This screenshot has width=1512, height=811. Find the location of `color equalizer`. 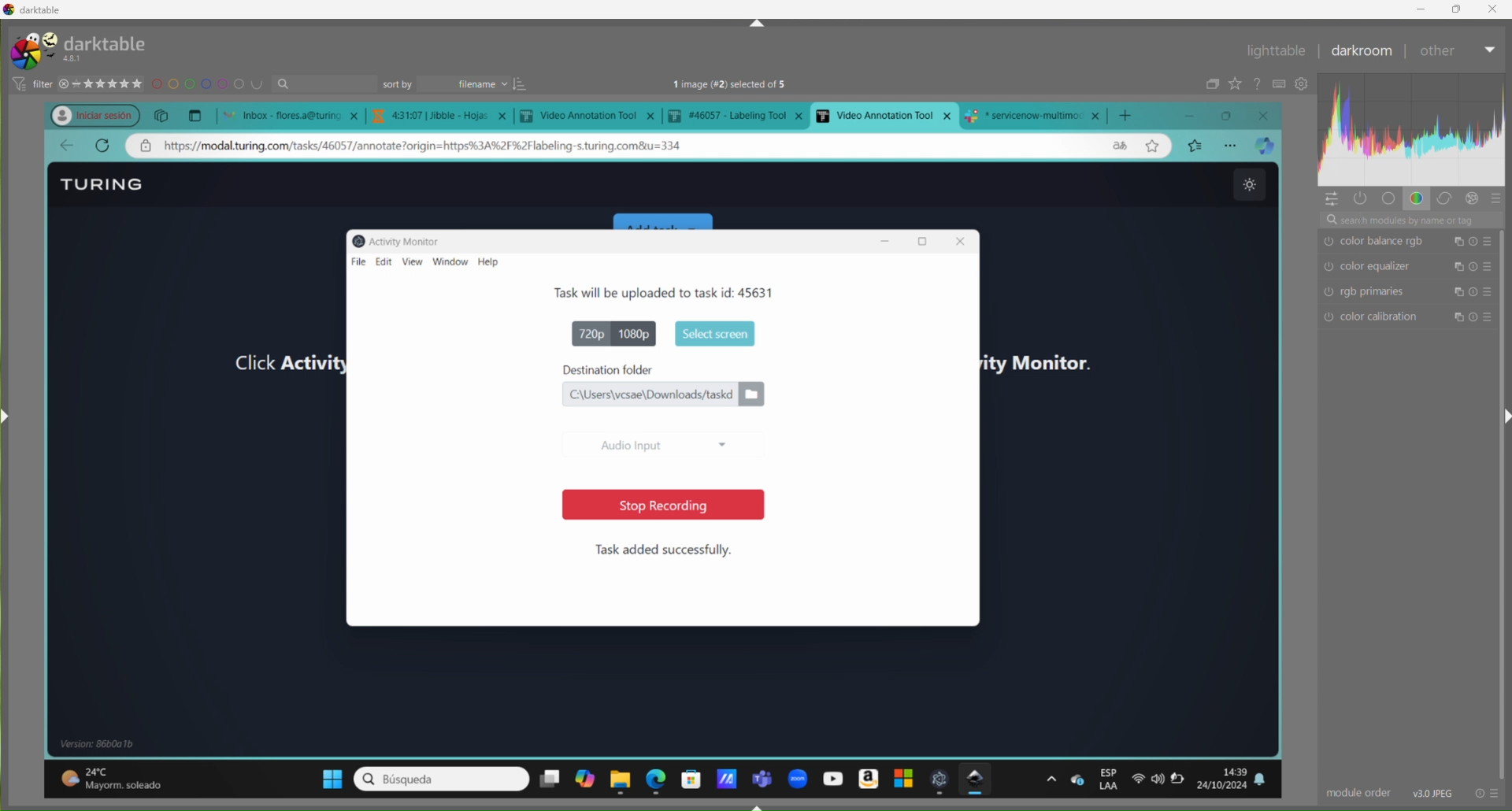

color equalizer is located at coordinates (1413, 268).